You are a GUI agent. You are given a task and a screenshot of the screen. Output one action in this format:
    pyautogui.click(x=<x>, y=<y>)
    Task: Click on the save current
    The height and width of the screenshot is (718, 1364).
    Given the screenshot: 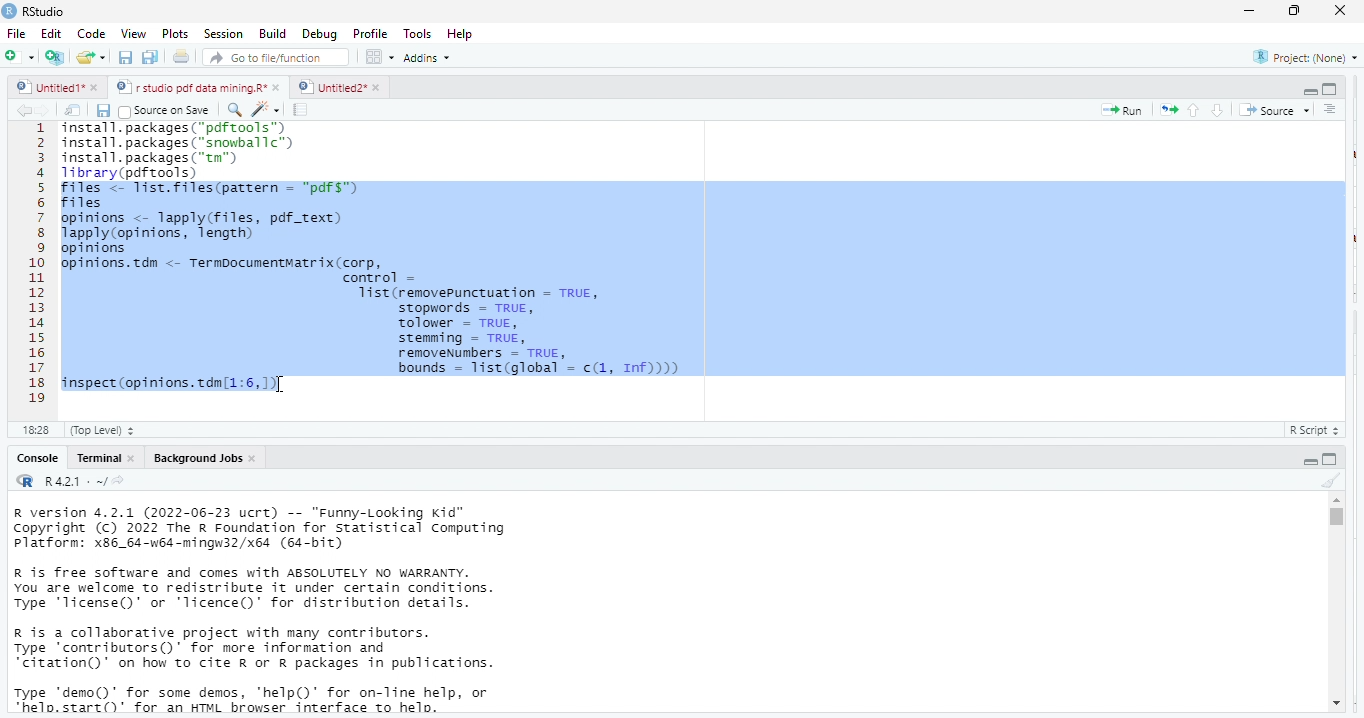 What is the action you would take?
    pyautogui.click(x=104, y=109)
    